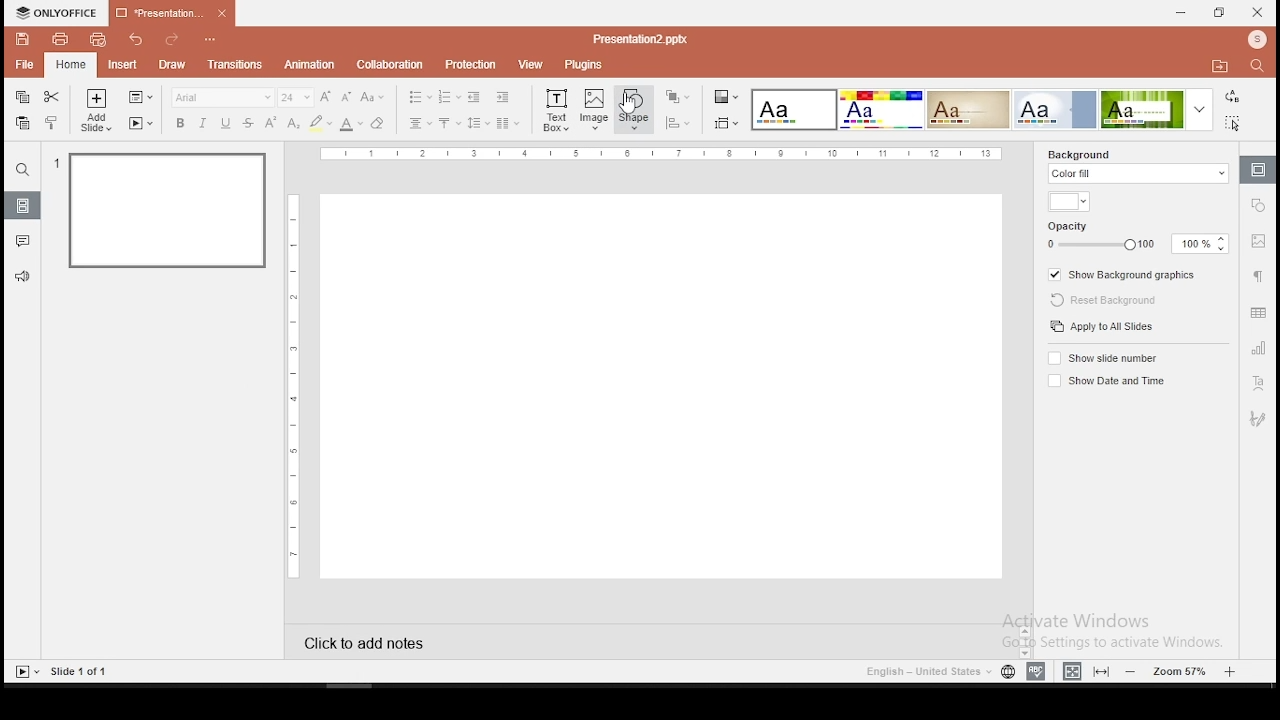  Describe the element at coordinates (448, 124) in the screenshot. I see `vertical alignment` at that location.